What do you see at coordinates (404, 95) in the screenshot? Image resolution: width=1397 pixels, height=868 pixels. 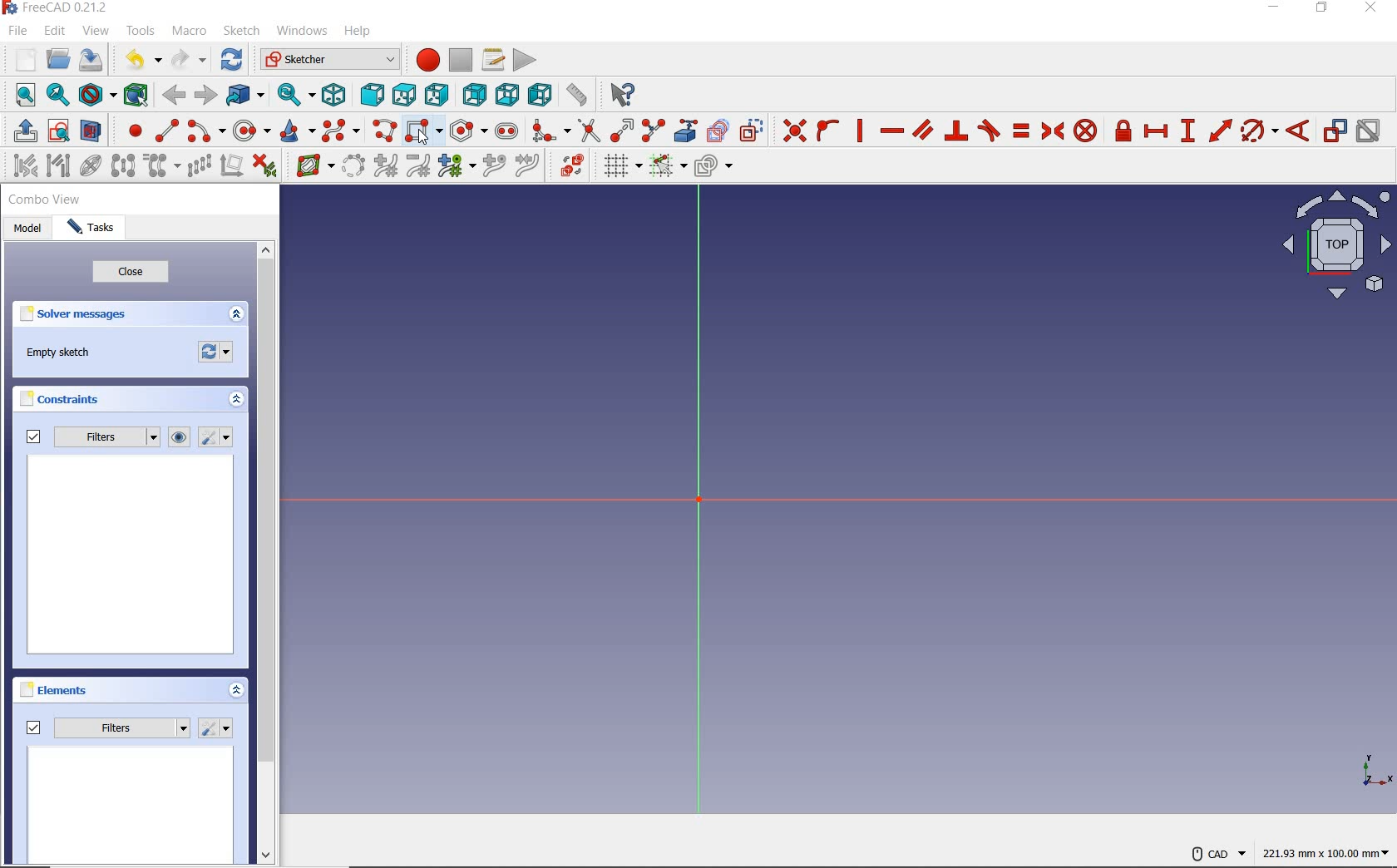 I see `top` at bounding box center [404, 95].